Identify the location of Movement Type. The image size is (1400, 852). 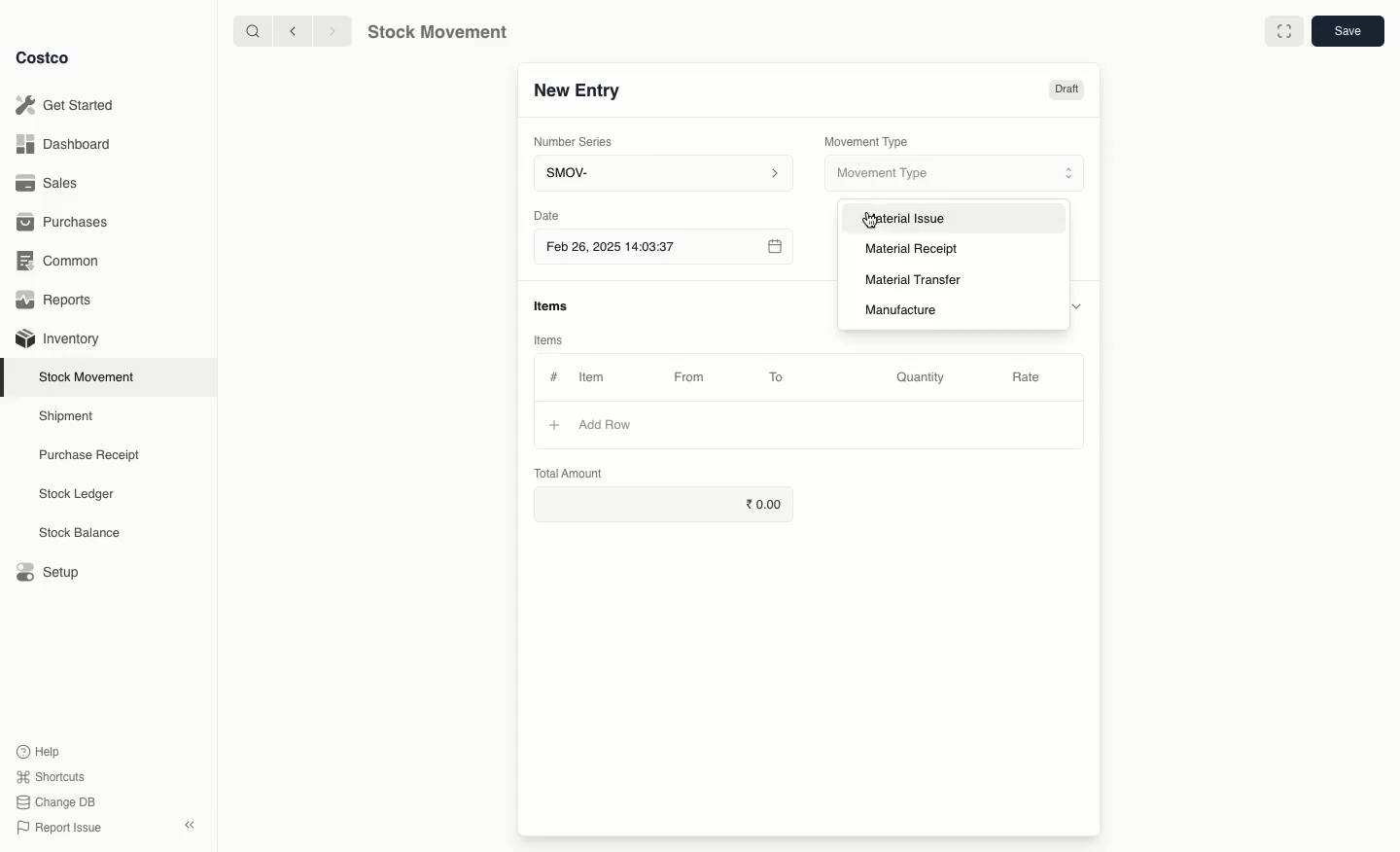
(957, 174).